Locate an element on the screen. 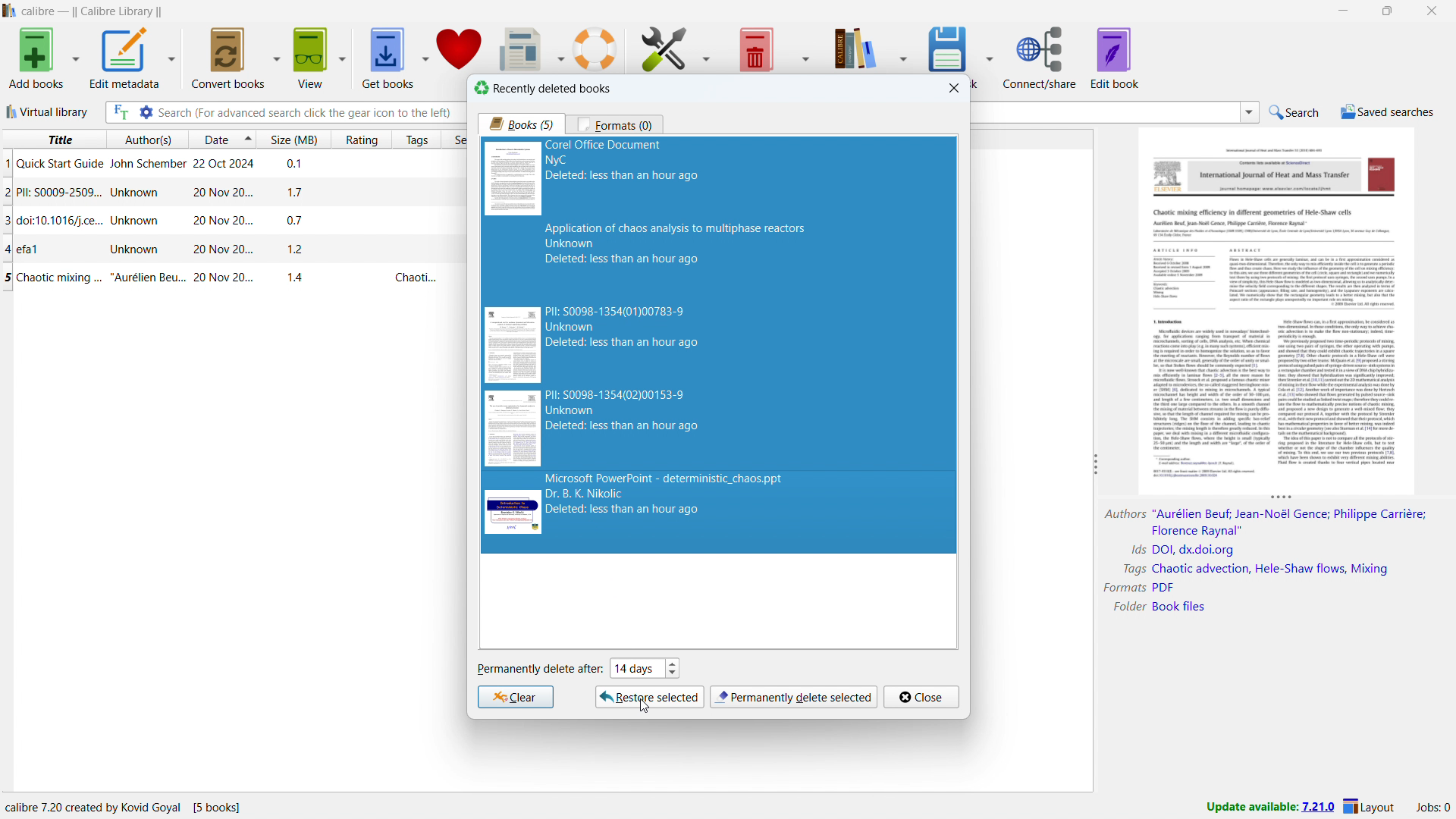 This screenshot has height=819, width=1456. connect/share is located at coordinates (1040, 56).